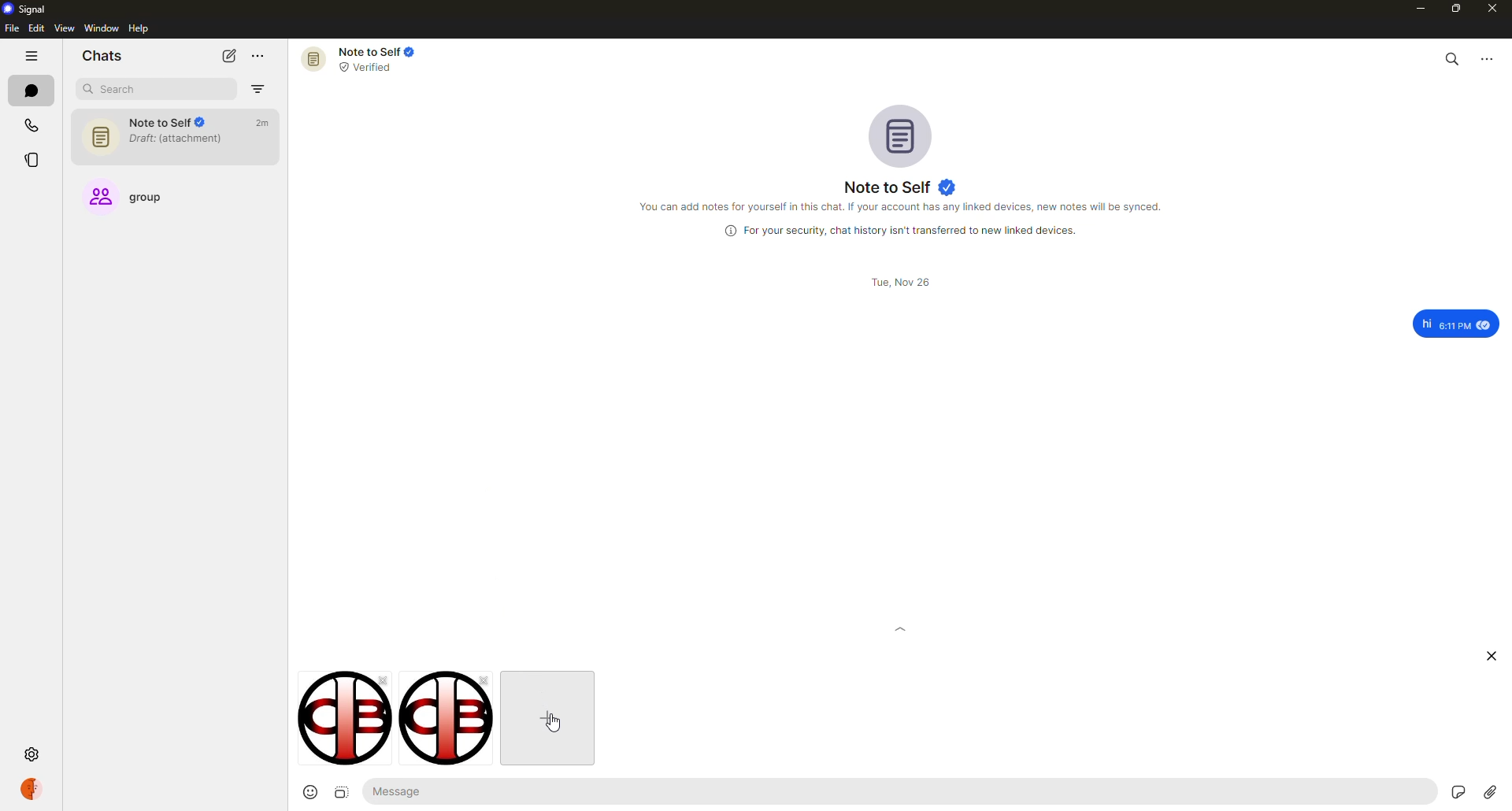 The width and height of the screenshot is (1512, 811). I want to click on info, so click(906, 207).